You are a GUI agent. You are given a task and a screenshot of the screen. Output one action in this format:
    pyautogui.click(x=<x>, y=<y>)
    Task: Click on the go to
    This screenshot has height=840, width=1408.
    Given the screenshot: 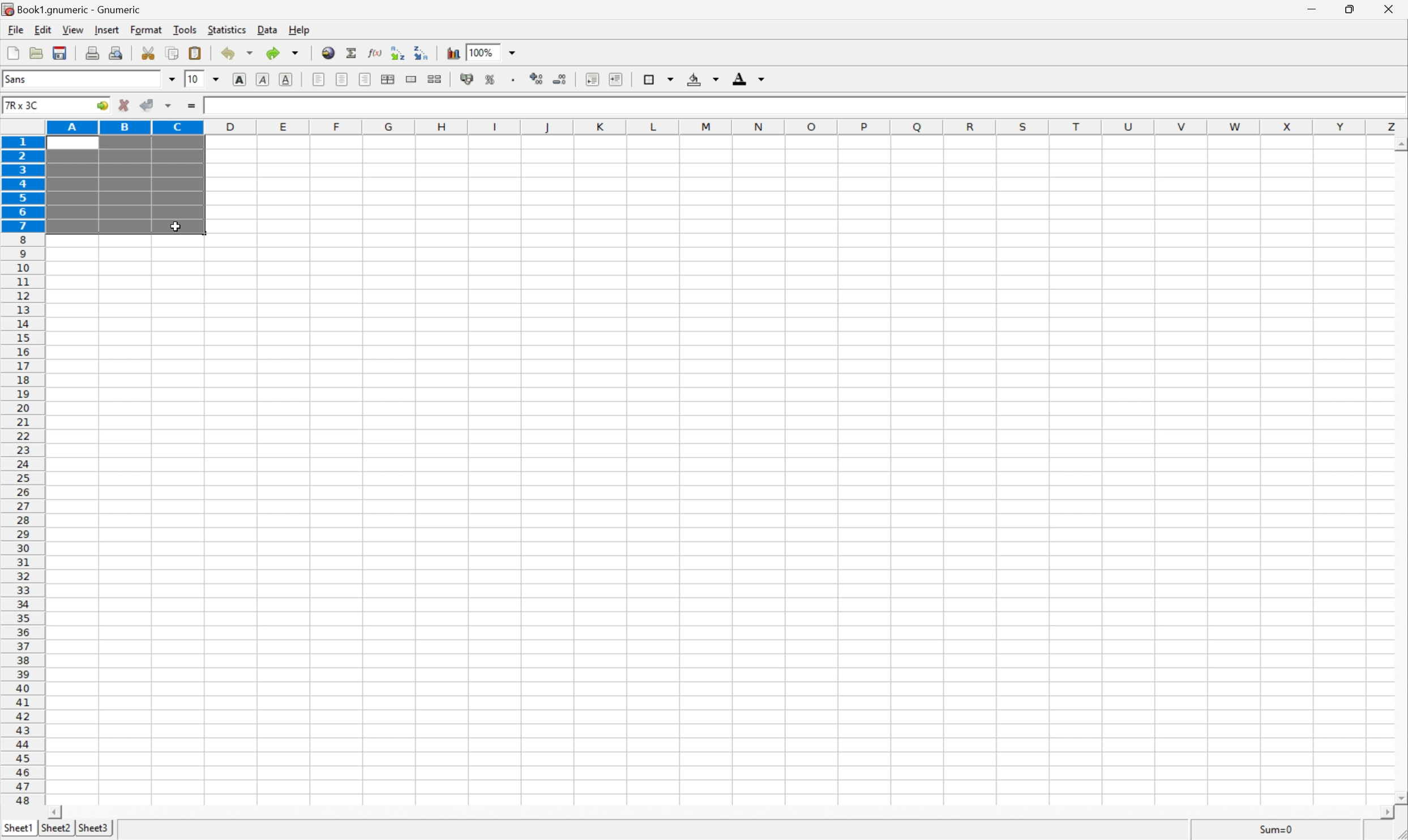 What is the action you would take?
    pyautogui.click(x=104, y=107)
    